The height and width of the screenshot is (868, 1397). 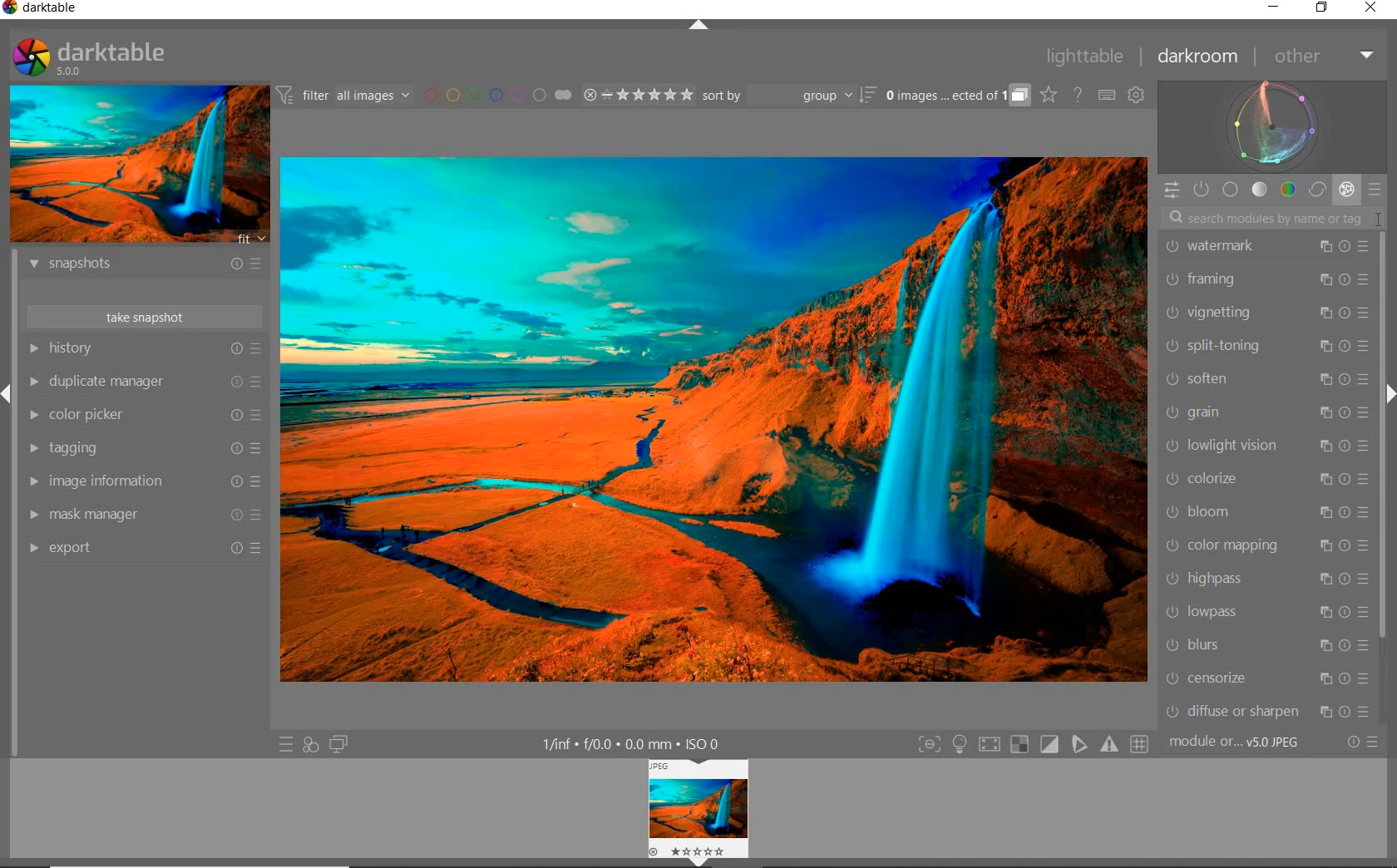 What do you see at coordinates (1267, 379) in the screenshot?
I see `soften` at bounding box center [1267, 379].